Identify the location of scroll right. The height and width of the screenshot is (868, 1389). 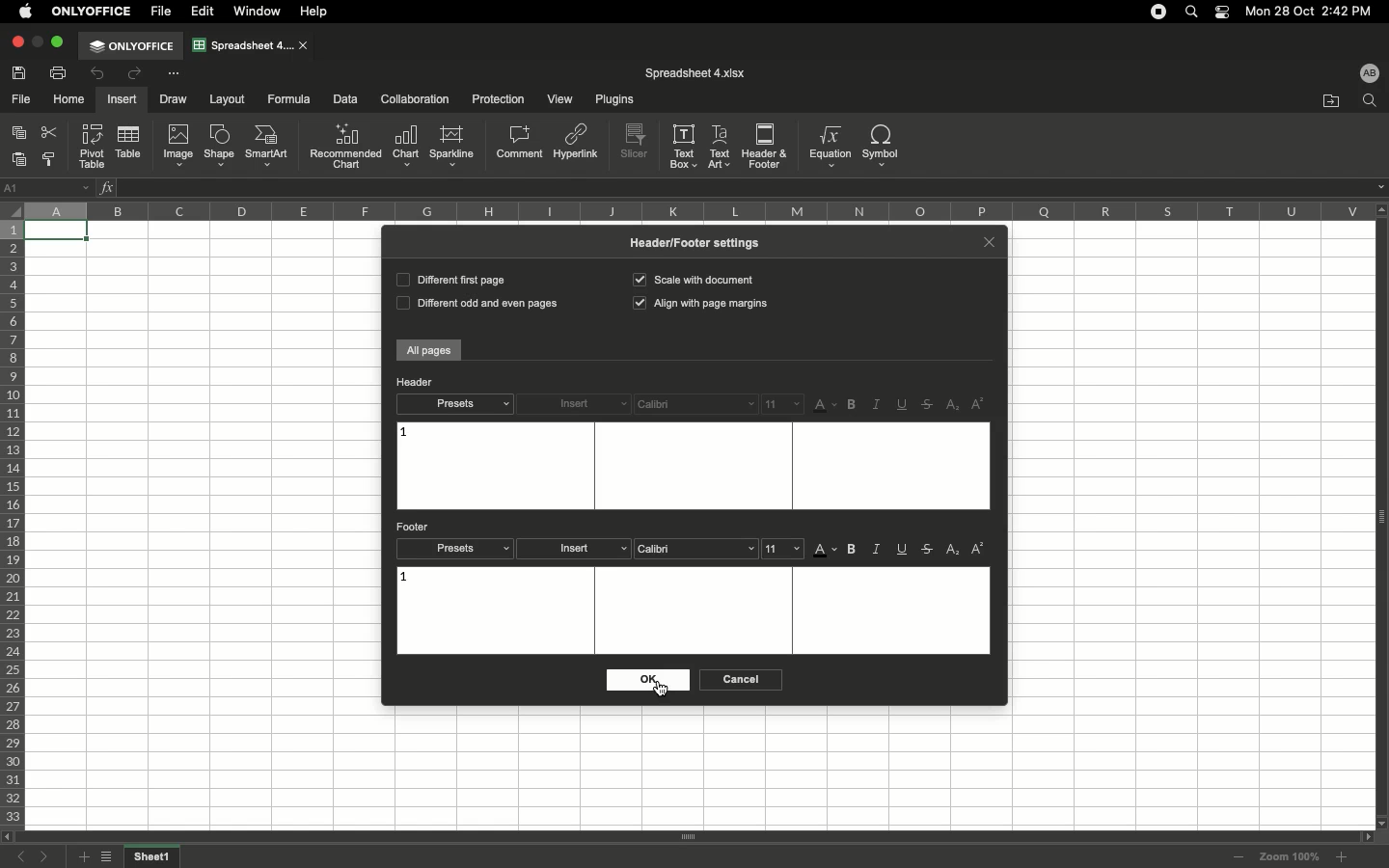
(1364, 837).